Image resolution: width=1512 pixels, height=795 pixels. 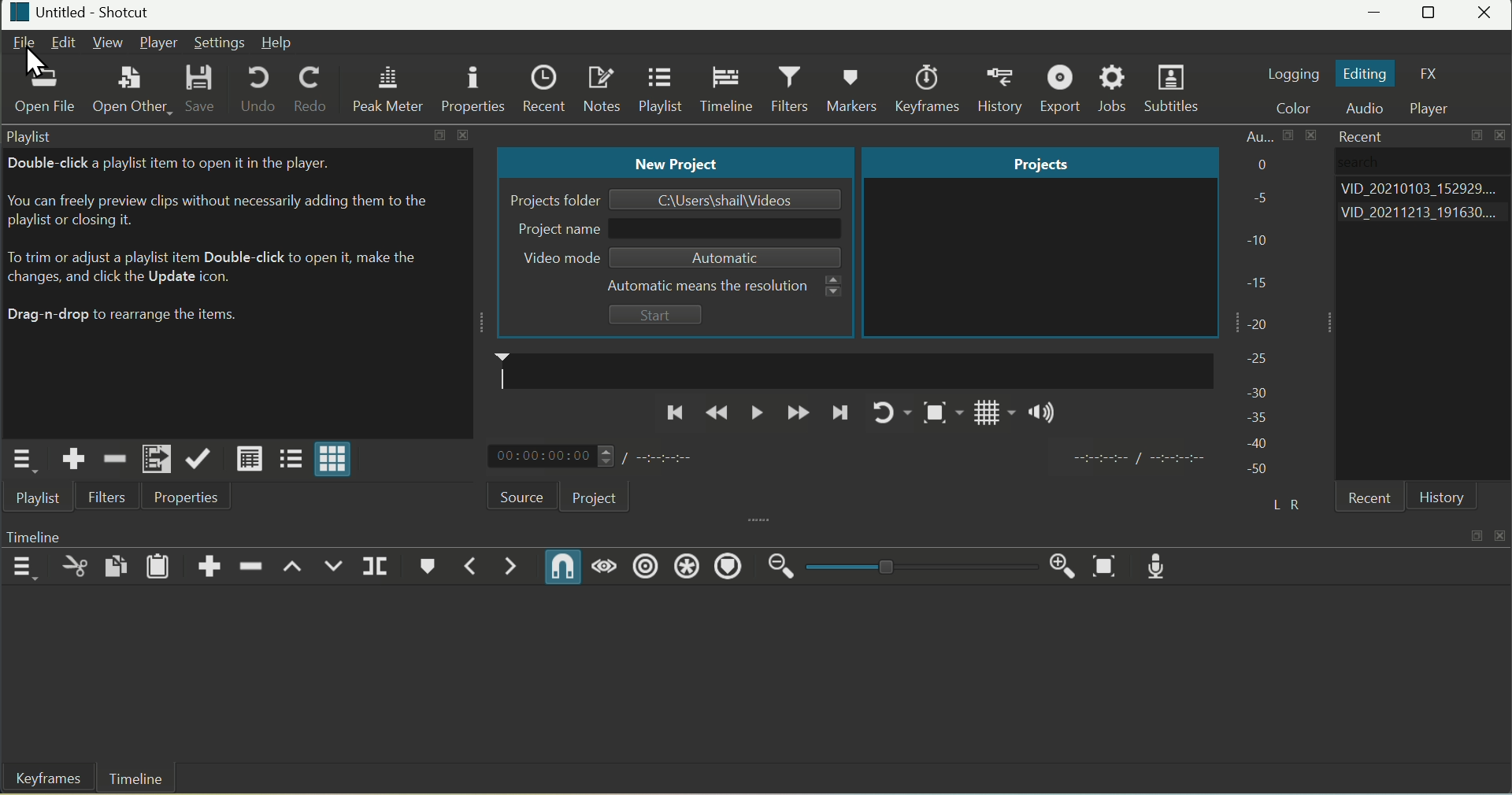 What do you see at coordinates (756, 412) in the screenshot?
I see `Play` at bounding box center [756, 412].